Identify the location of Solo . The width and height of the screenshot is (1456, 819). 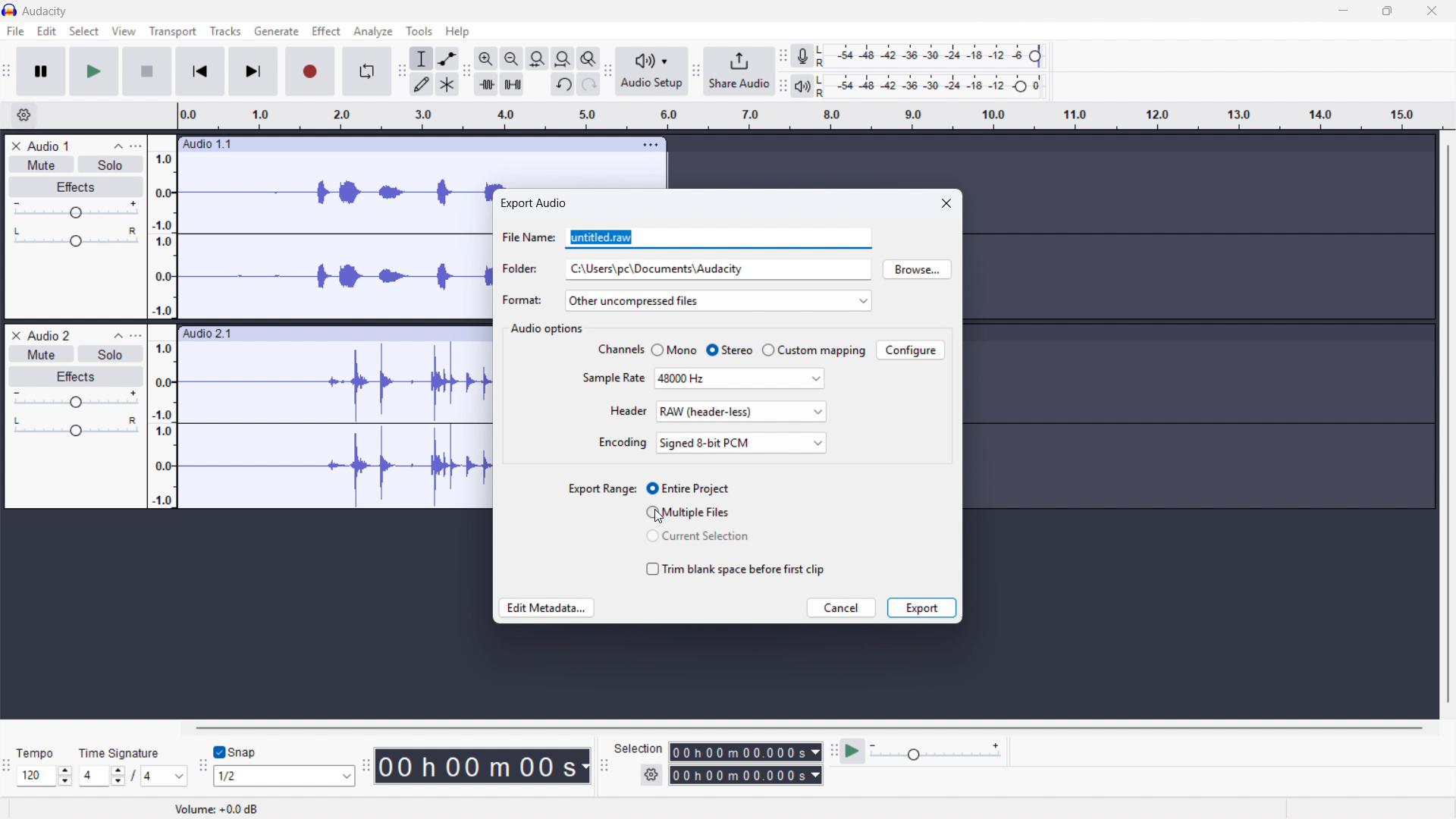
(111, 165).